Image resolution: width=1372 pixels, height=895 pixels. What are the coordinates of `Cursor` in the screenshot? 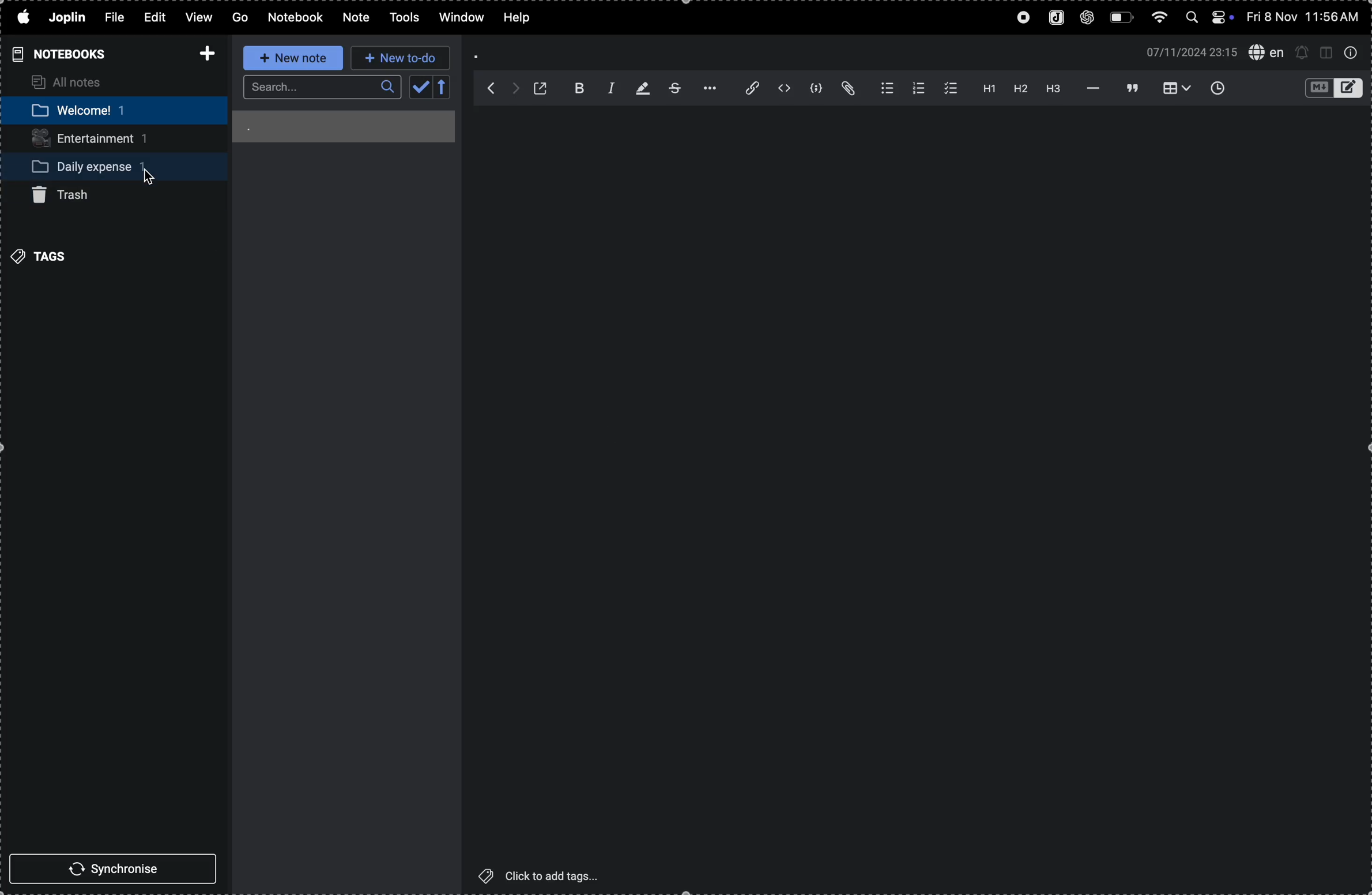 It's located at (148, 175).